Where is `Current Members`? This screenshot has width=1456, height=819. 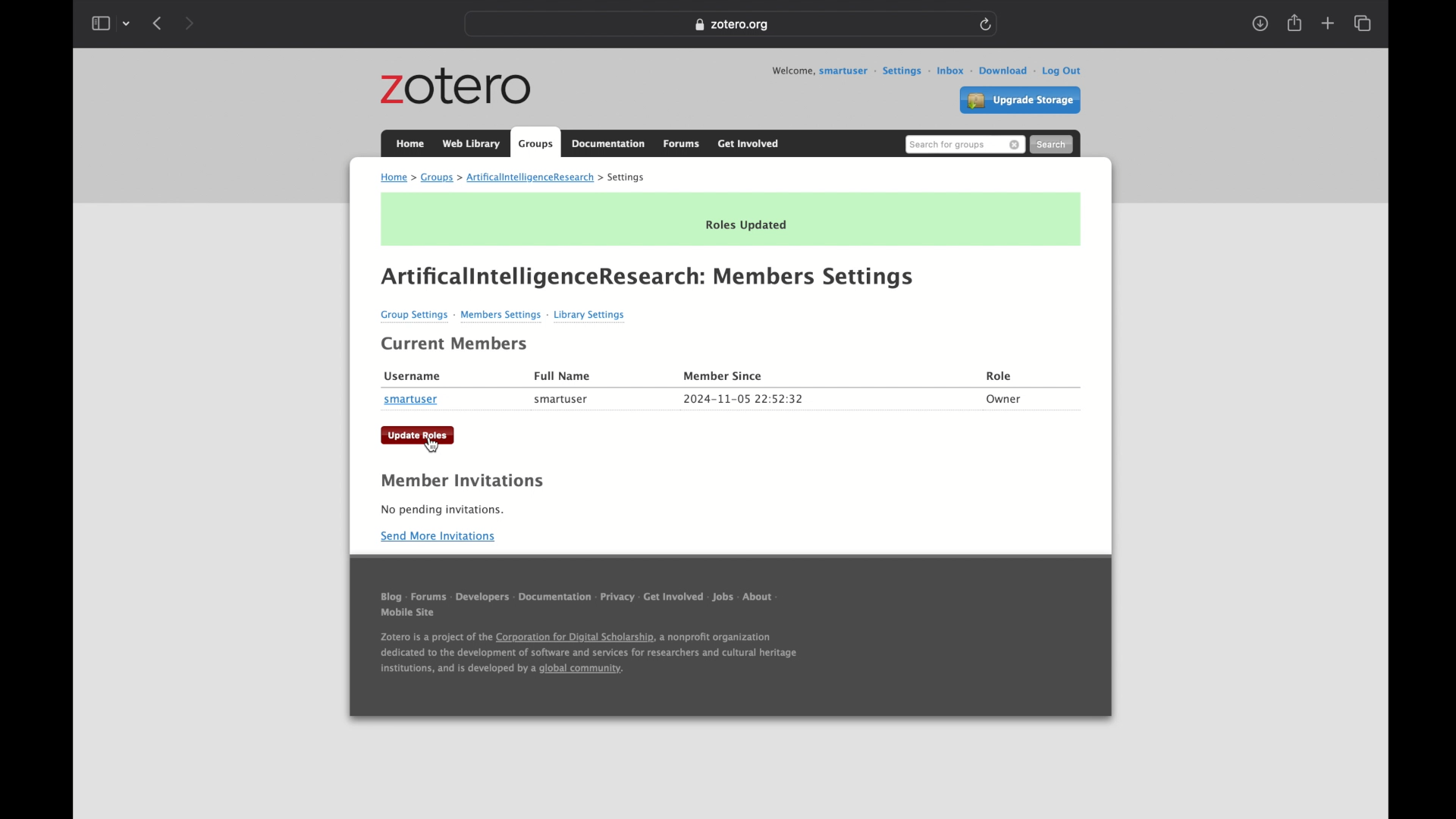
Current Members is located at coordinates (472, 345).